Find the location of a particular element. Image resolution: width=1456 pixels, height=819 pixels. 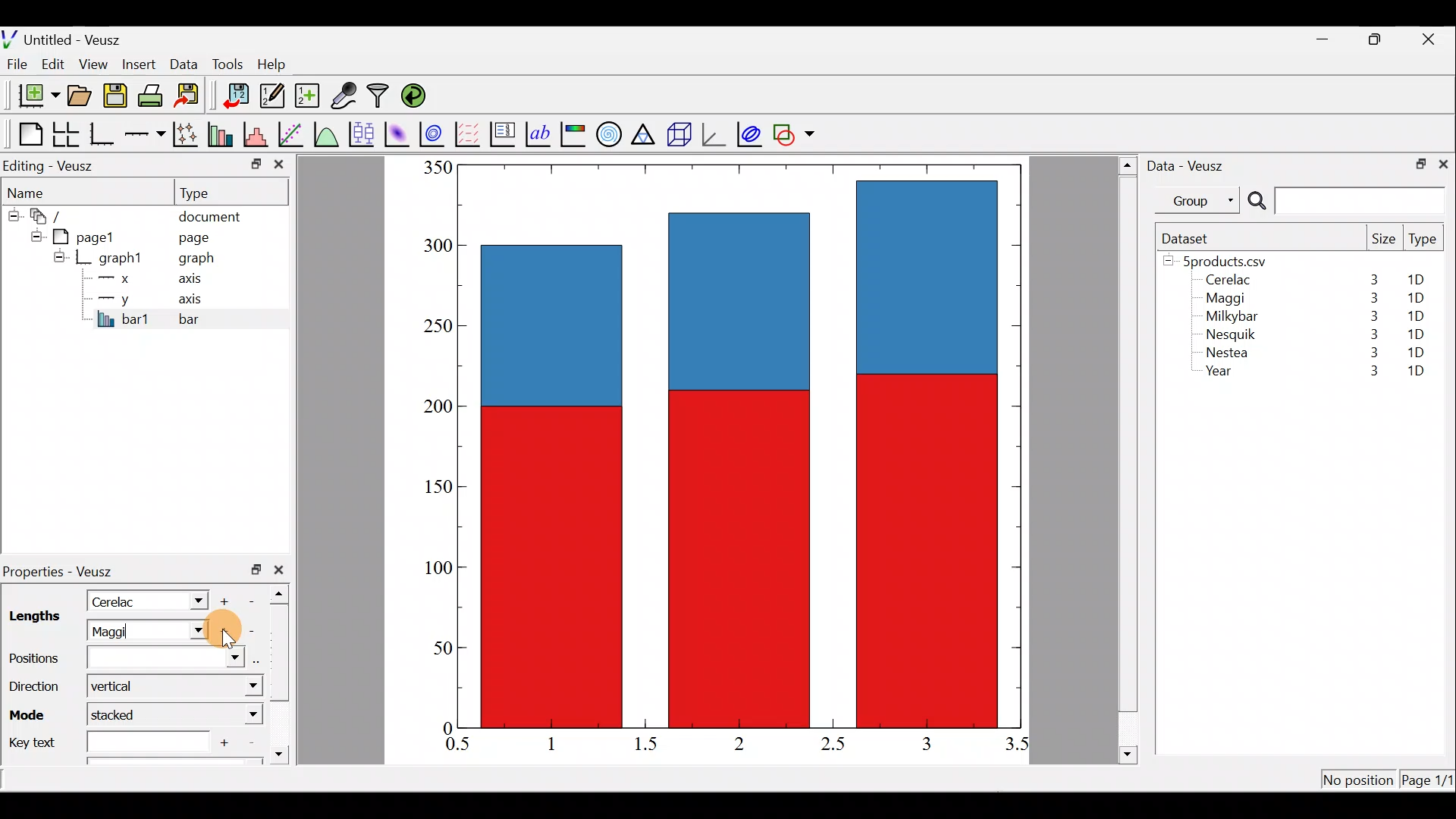

Nesquik is located at coordinates (1228, 334).